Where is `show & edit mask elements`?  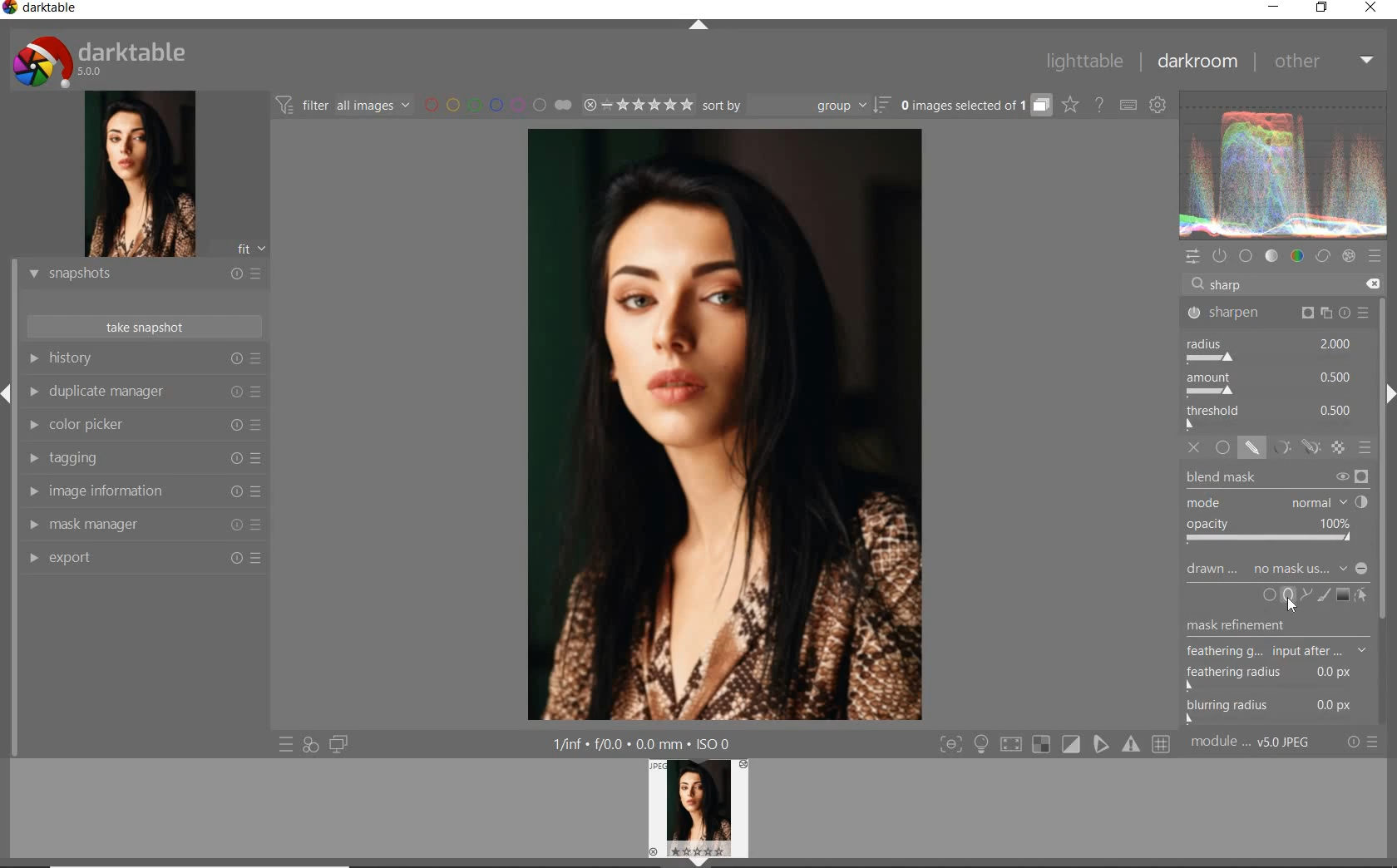
show & edit mask elements is located at coordinates (1362, 595).